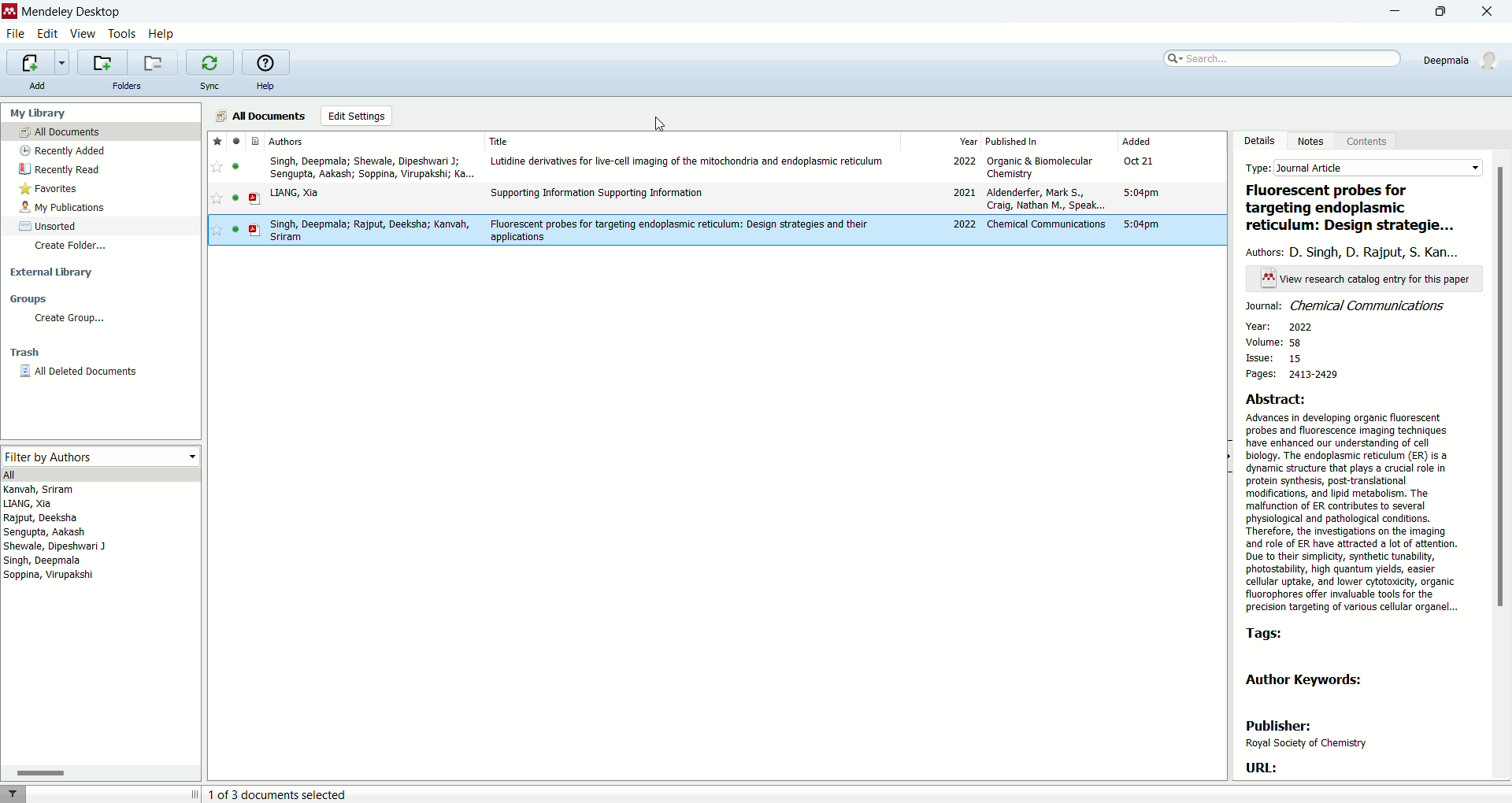  I want to click on details, so click(1259, 141).